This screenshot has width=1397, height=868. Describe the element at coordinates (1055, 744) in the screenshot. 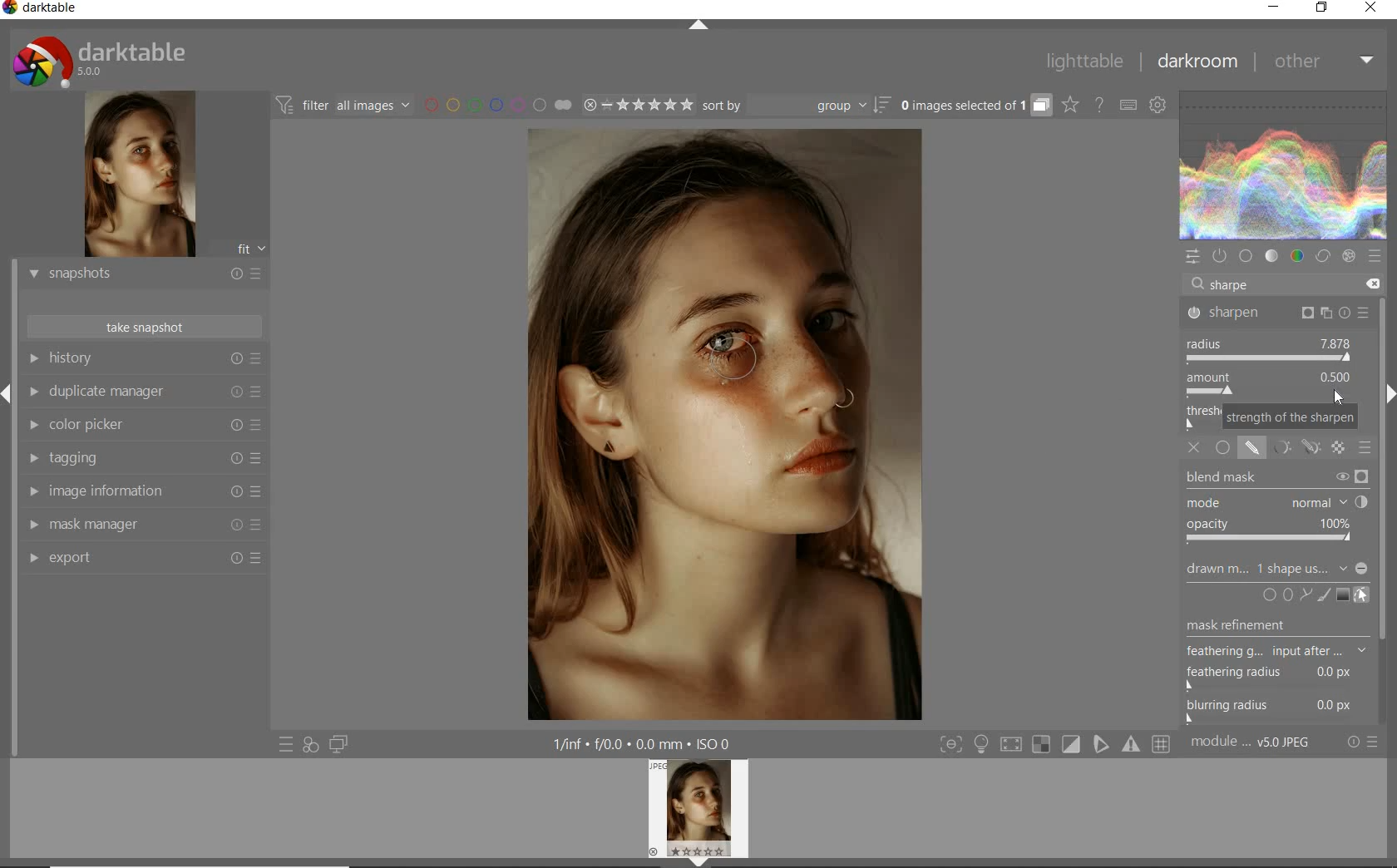

I see `toggle modes` at that location.